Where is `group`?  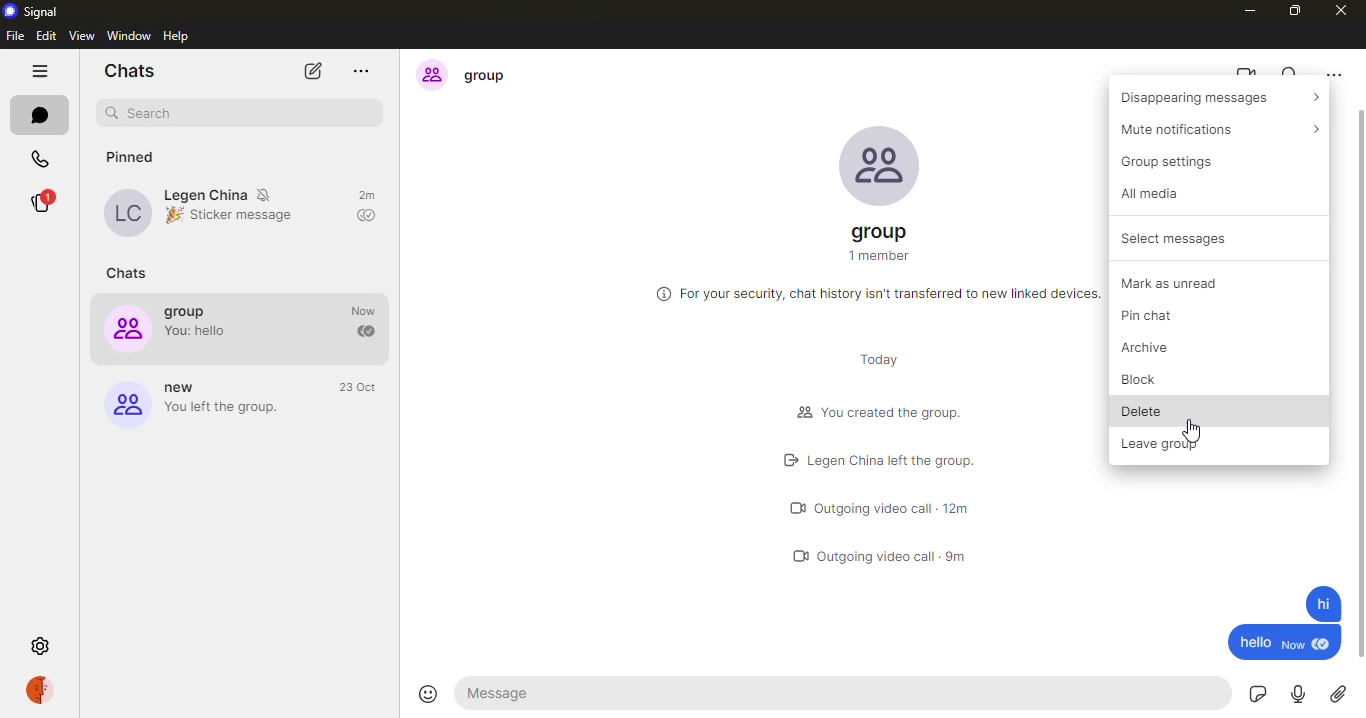 group is located at coordinates (188, 312).